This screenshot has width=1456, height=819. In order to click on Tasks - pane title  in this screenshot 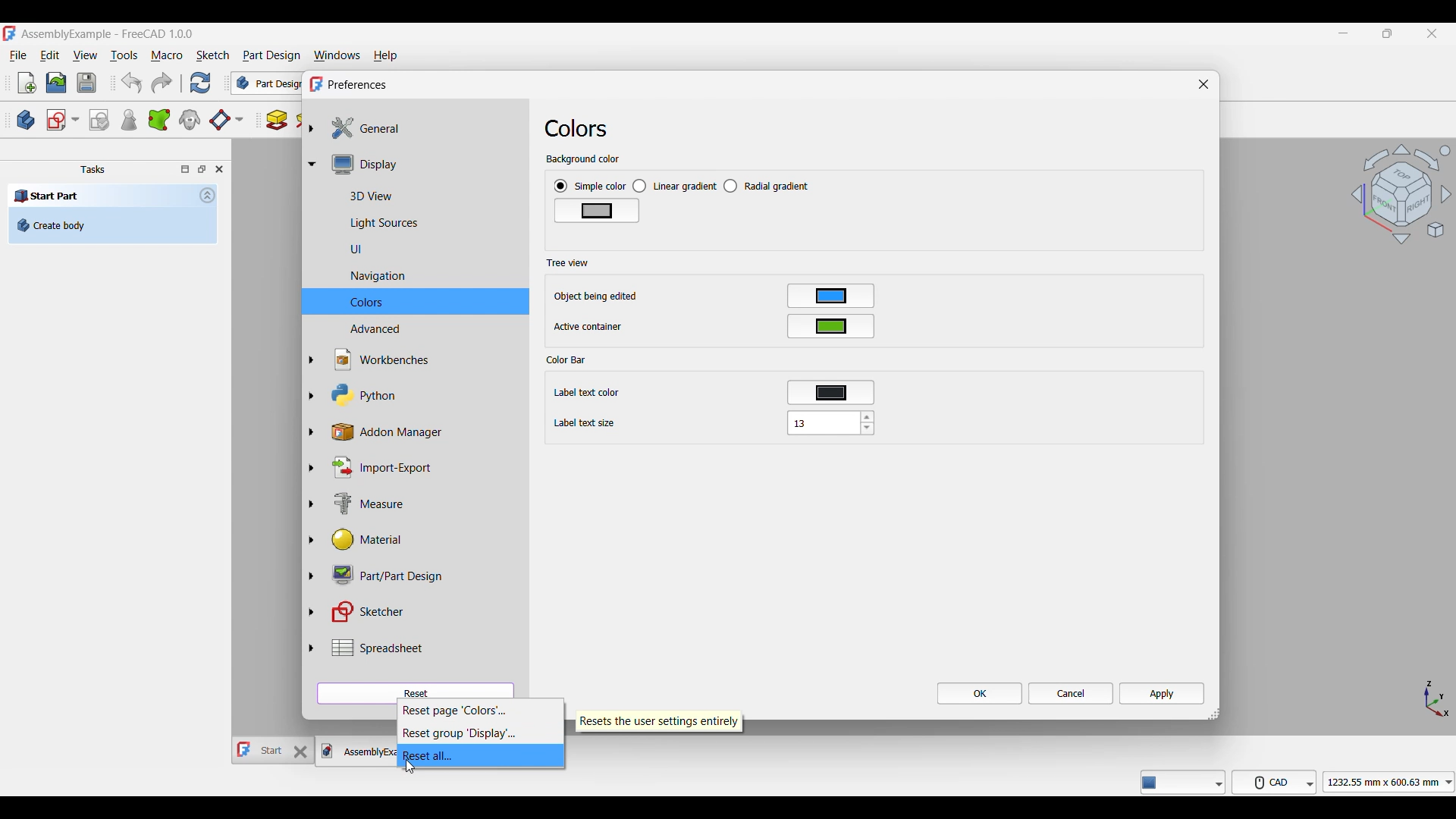, I will do `click(93, 169)`.